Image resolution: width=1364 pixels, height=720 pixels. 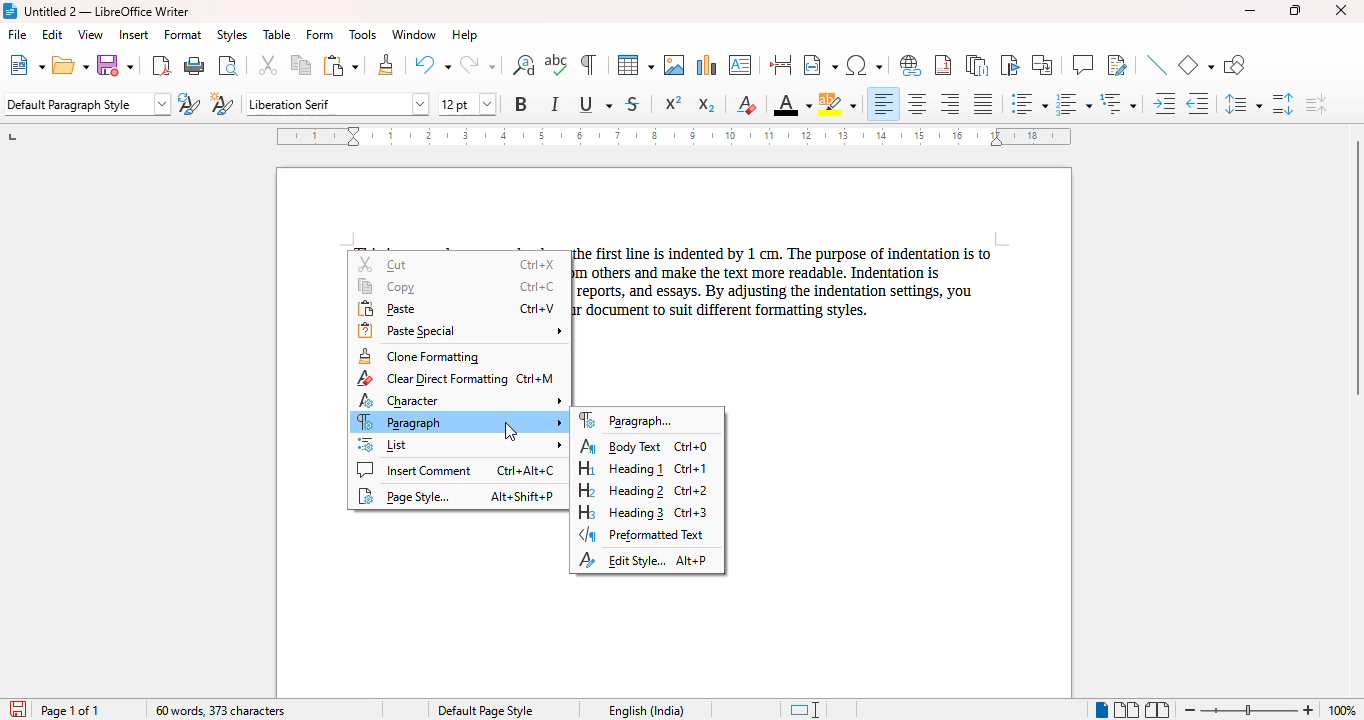 I want to click on character, so click(x=460, y=400).